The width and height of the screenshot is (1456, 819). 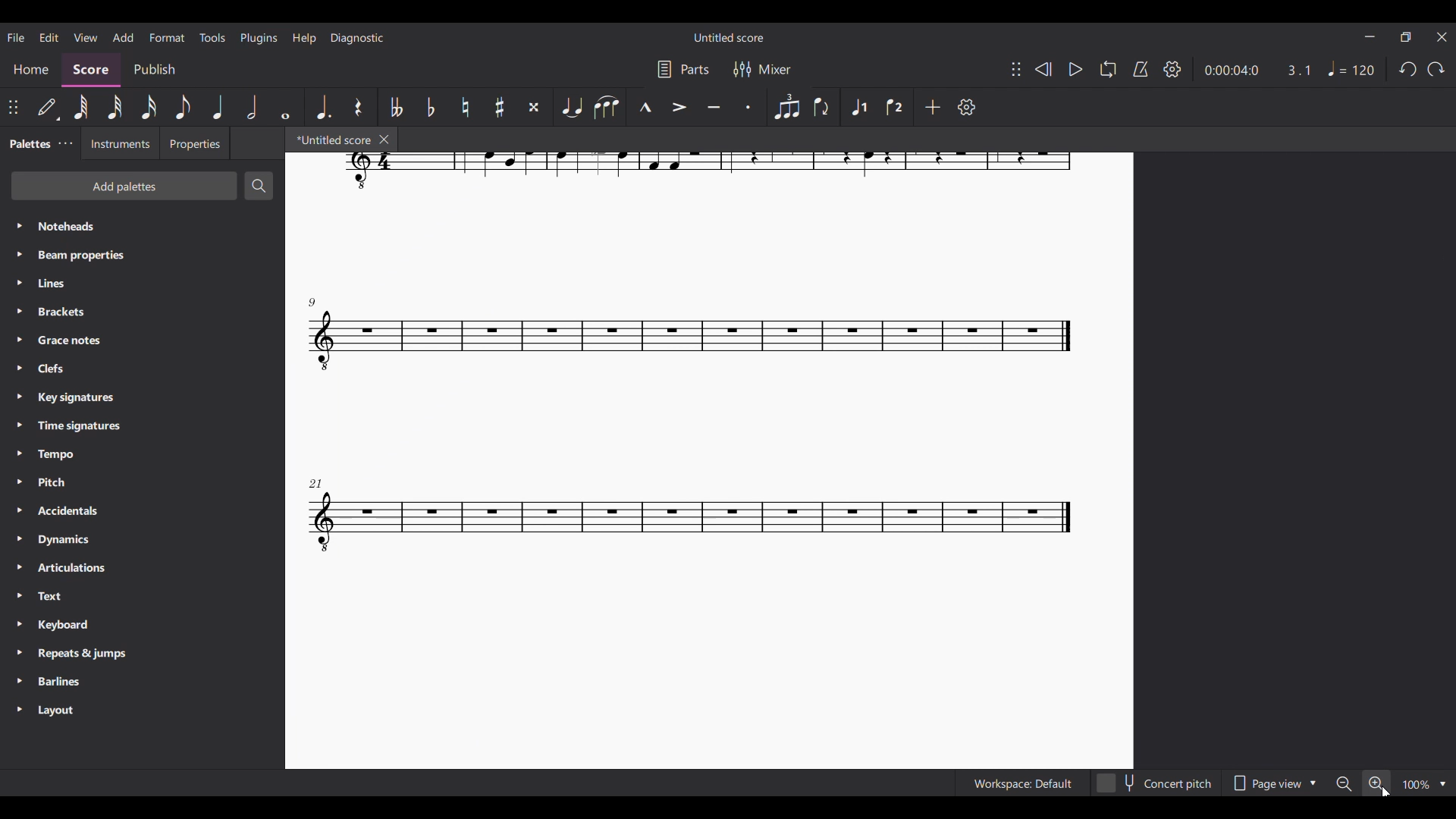 What do you see at coordinates (606, 107) in the screenshot?
I see `Slur` at bounding box center [606, 107].